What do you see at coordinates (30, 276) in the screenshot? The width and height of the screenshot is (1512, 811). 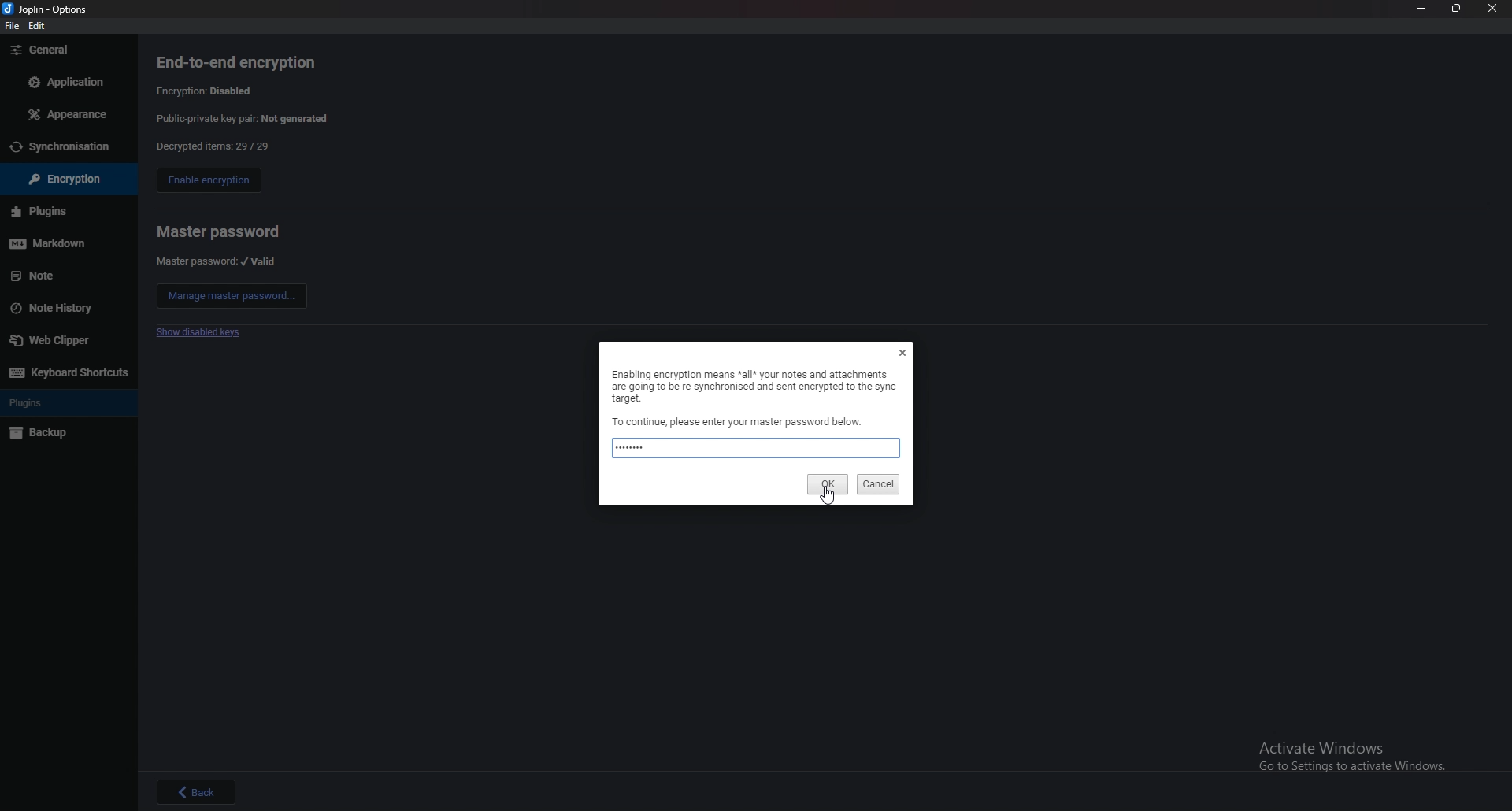 I see `` at bounding box center [30, 276].